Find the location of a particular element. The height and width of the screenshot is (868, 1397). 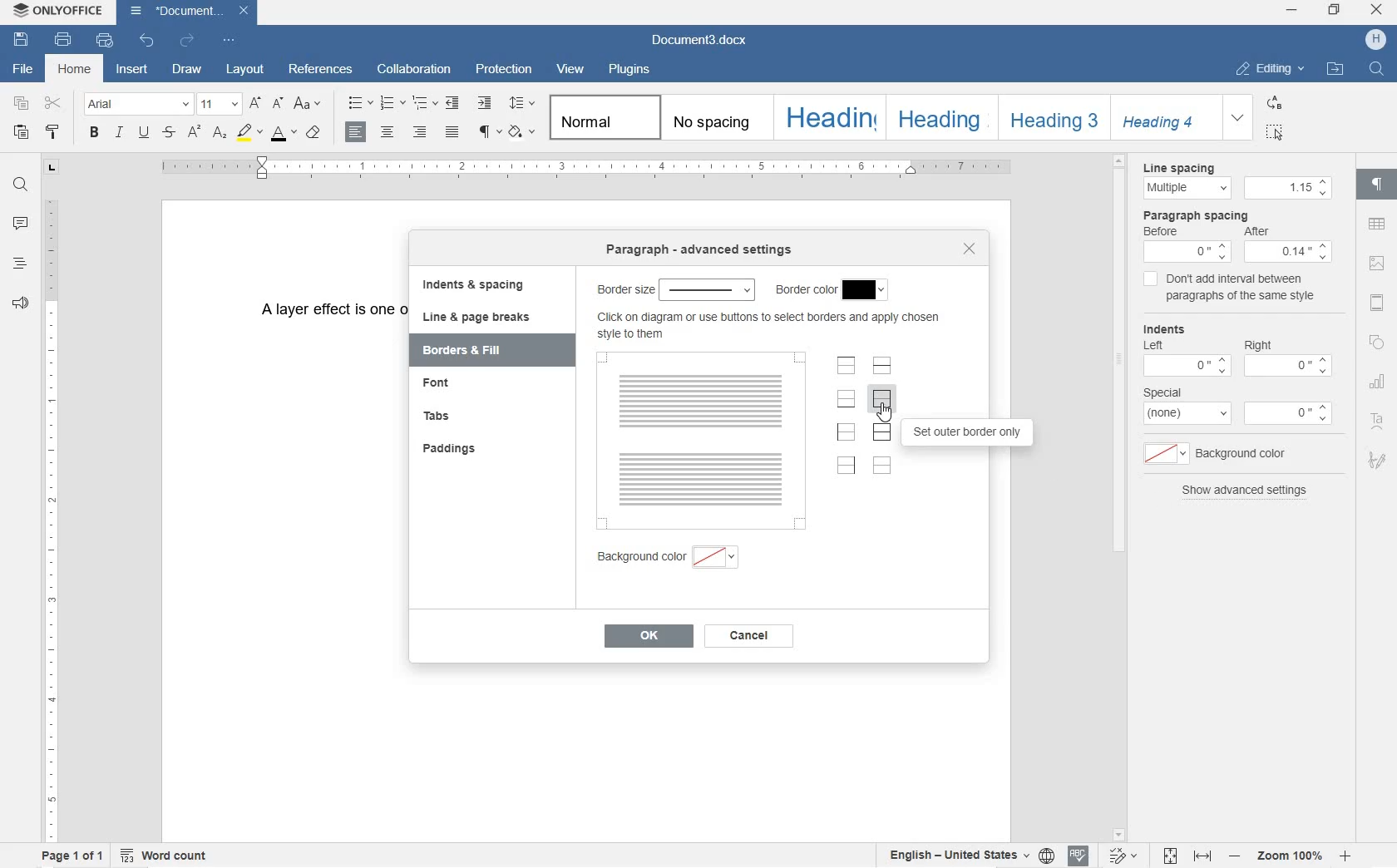

CLEAR STYLE is located at coordinates (313, 133).